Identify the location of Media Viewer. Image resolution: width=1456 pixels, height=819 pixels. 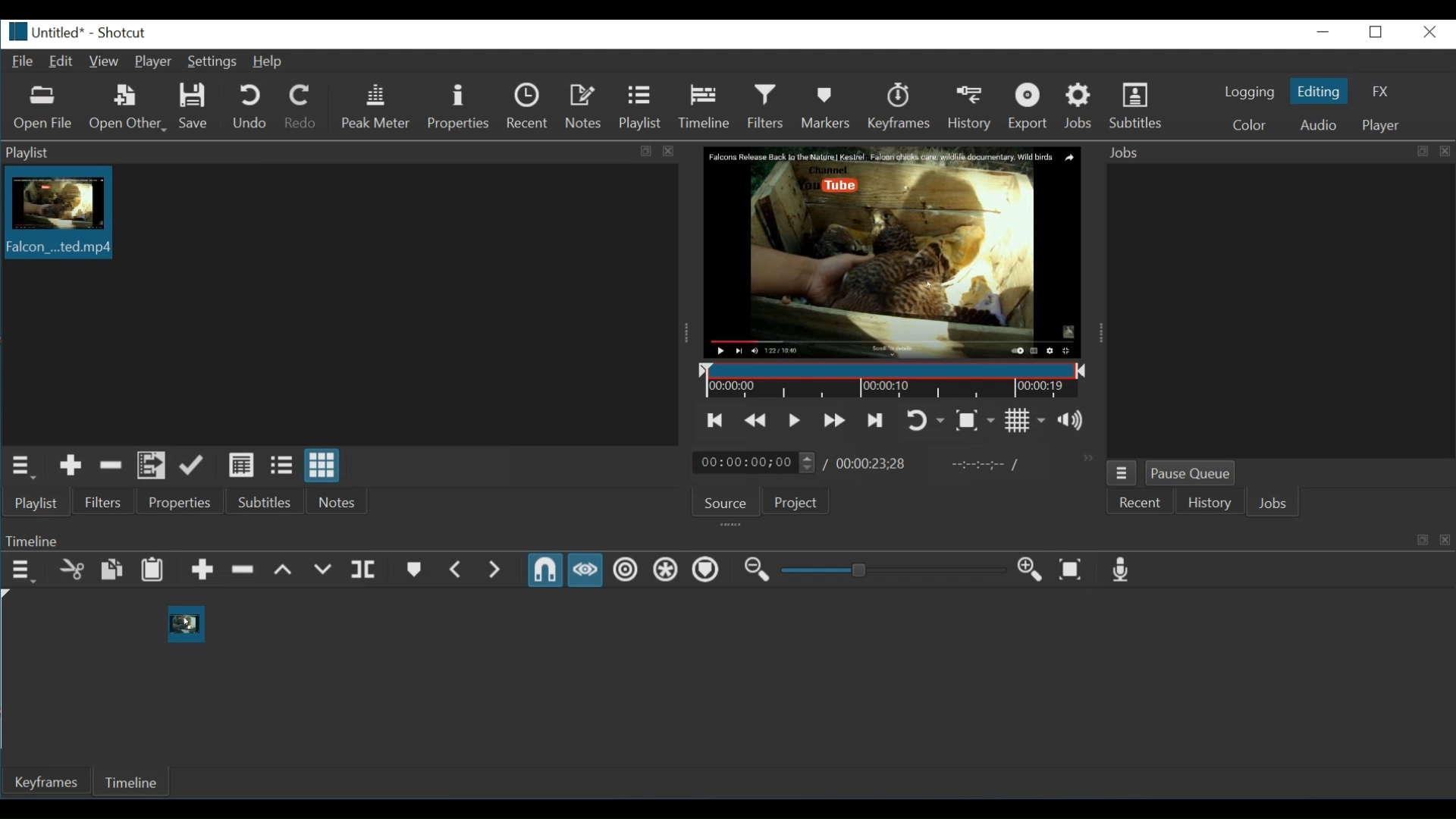
(894, 253).